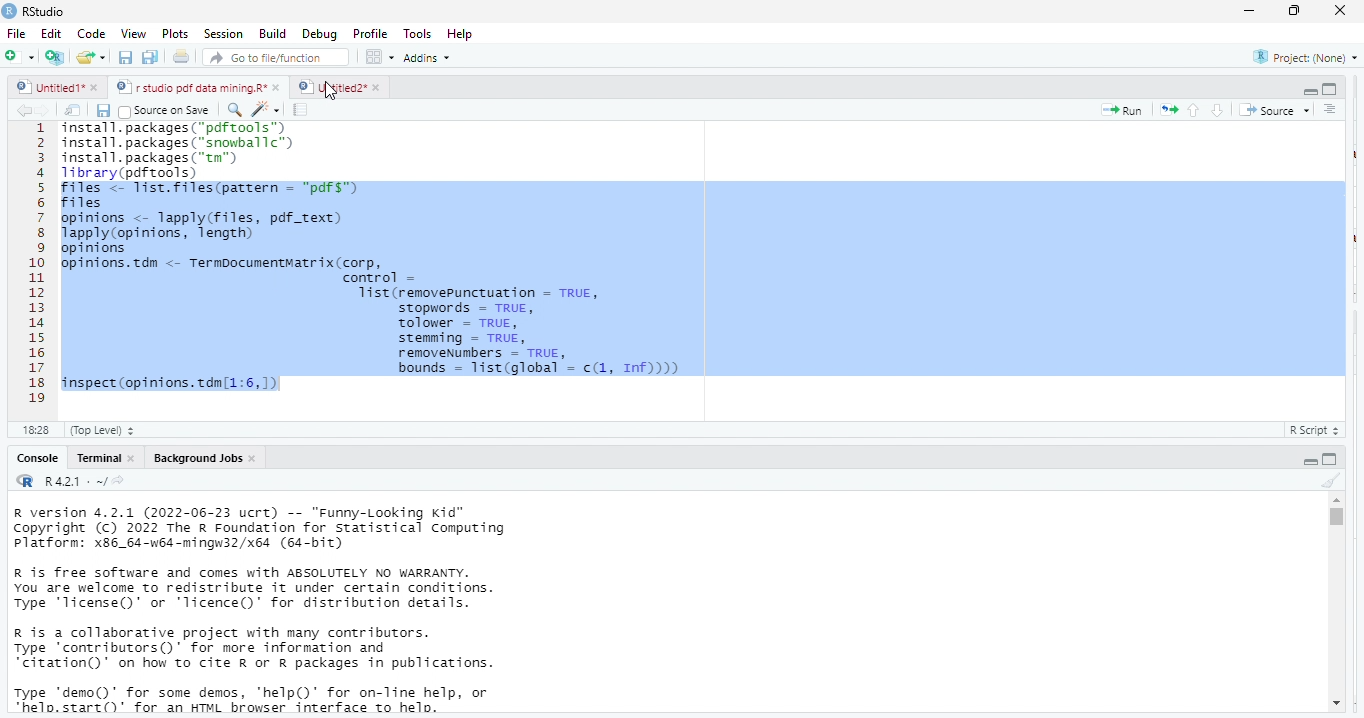  I want to click on plots, so click(175, 34).